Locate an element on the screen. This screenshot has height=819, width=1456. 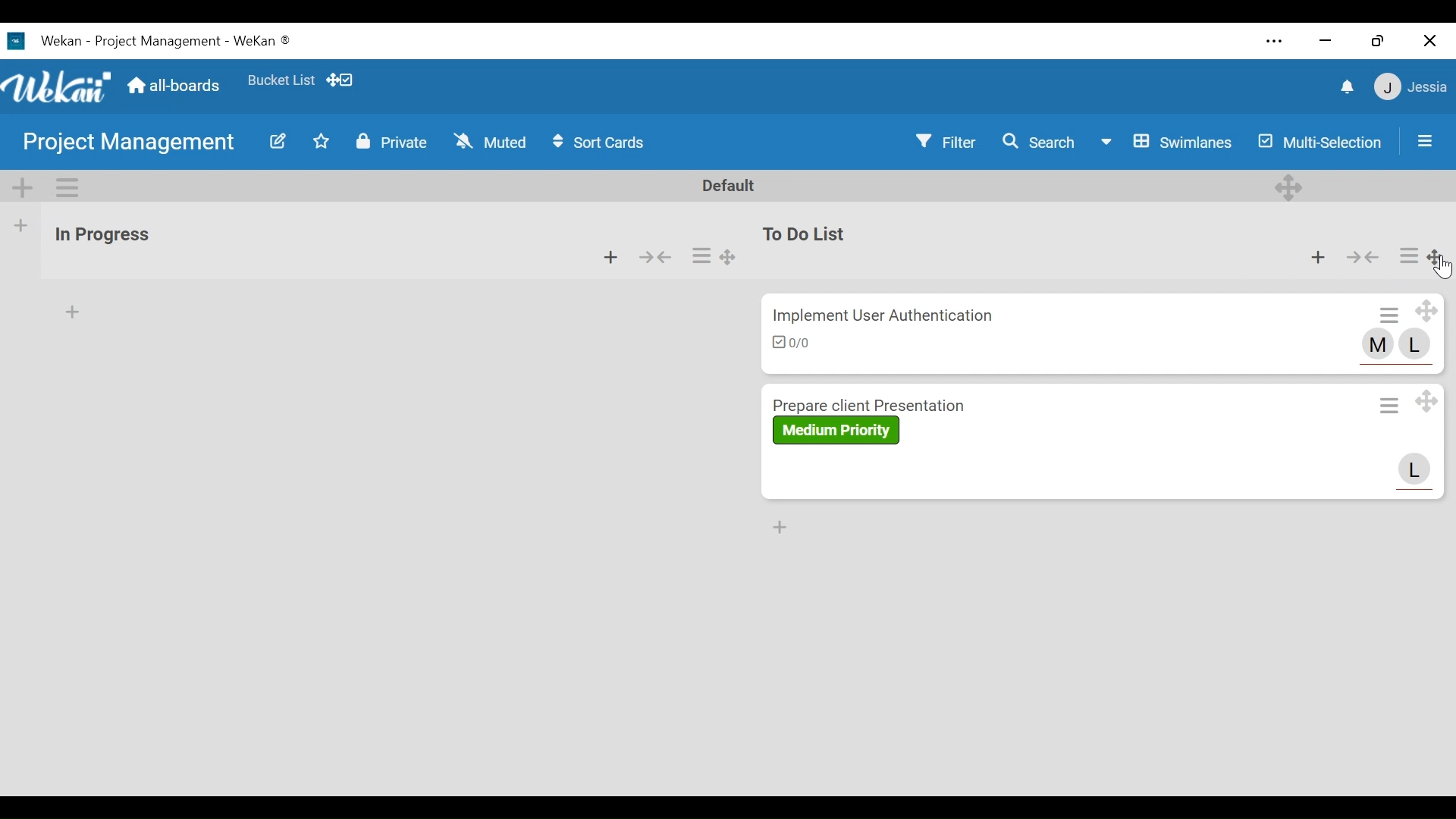
Show Desktop drag handles is located at coordinates (339, 80).